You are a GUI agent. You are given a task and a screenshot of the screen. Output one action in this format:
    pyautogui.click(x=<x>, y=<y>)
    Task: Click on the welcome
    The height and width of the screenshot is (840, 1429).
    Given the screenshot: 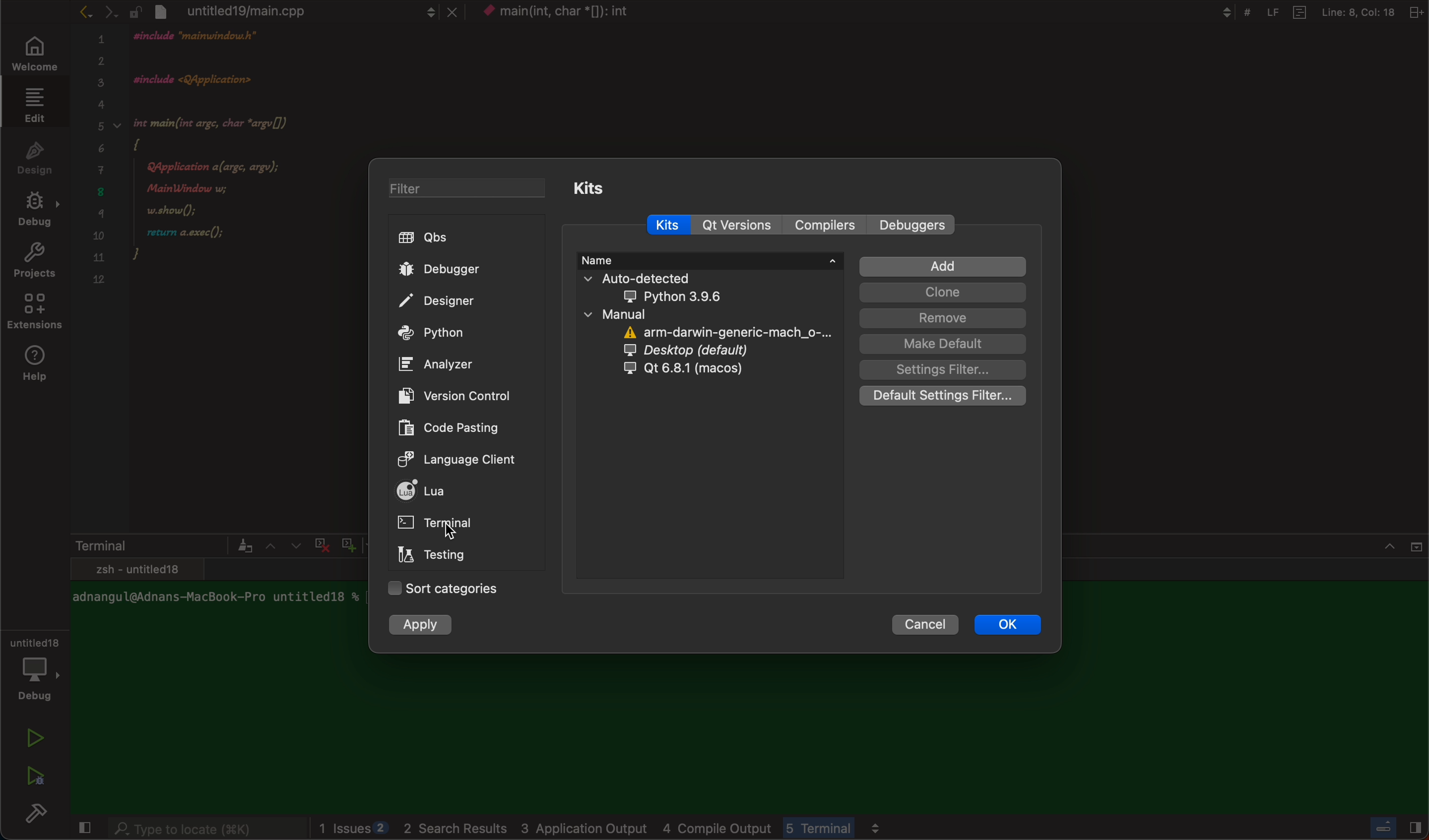 What is the action you would take?
    pyautogui.click(x=32, y=55)
    